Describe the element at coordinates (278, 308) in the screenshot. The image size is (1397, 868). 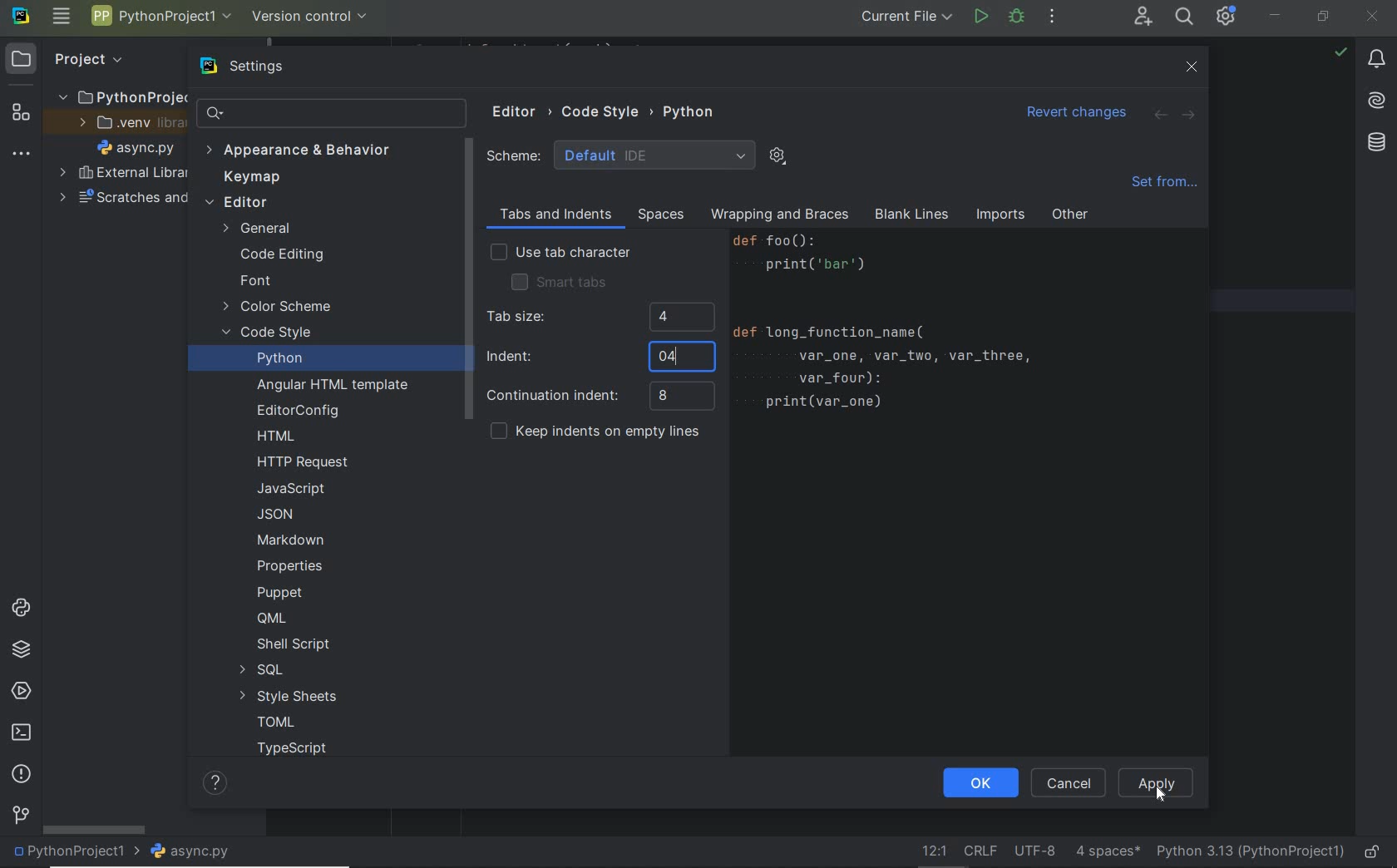
I see `color scheme` at that location.